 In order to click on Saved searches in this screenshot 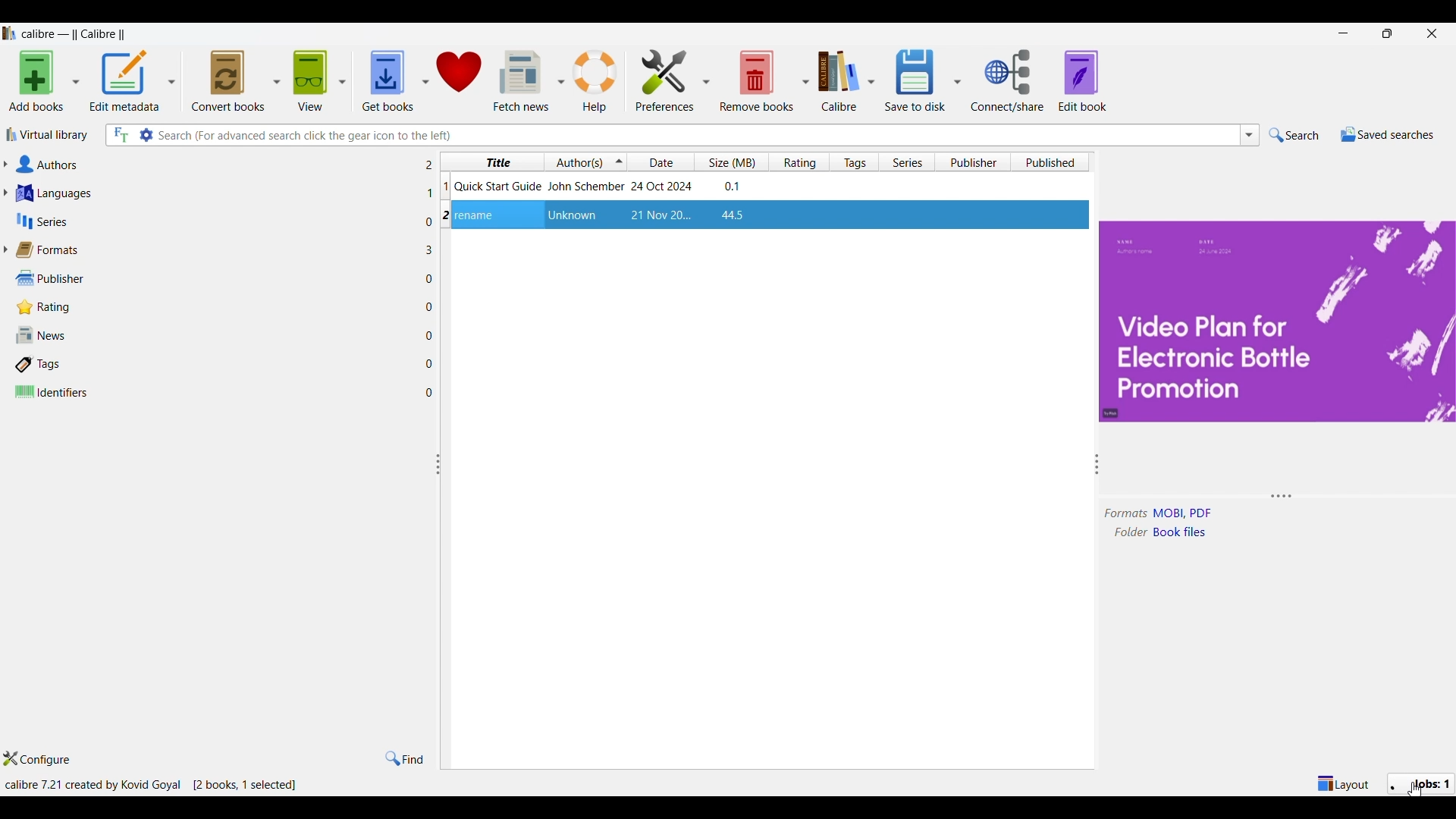, I will do `click(1387, 134)`.